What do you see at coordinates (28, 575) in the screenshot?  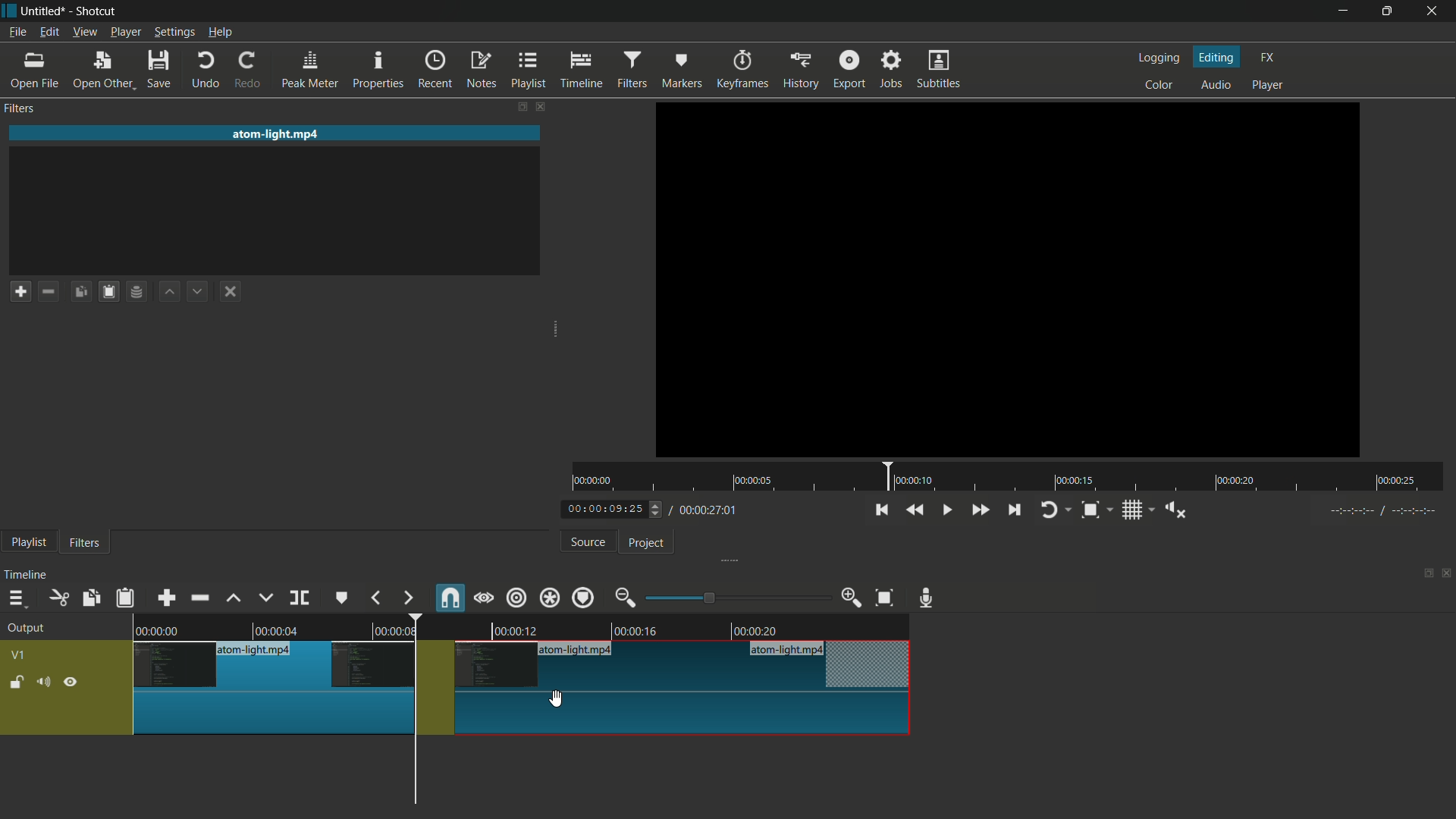 I see `timeline` at bounding box center [28, 575].